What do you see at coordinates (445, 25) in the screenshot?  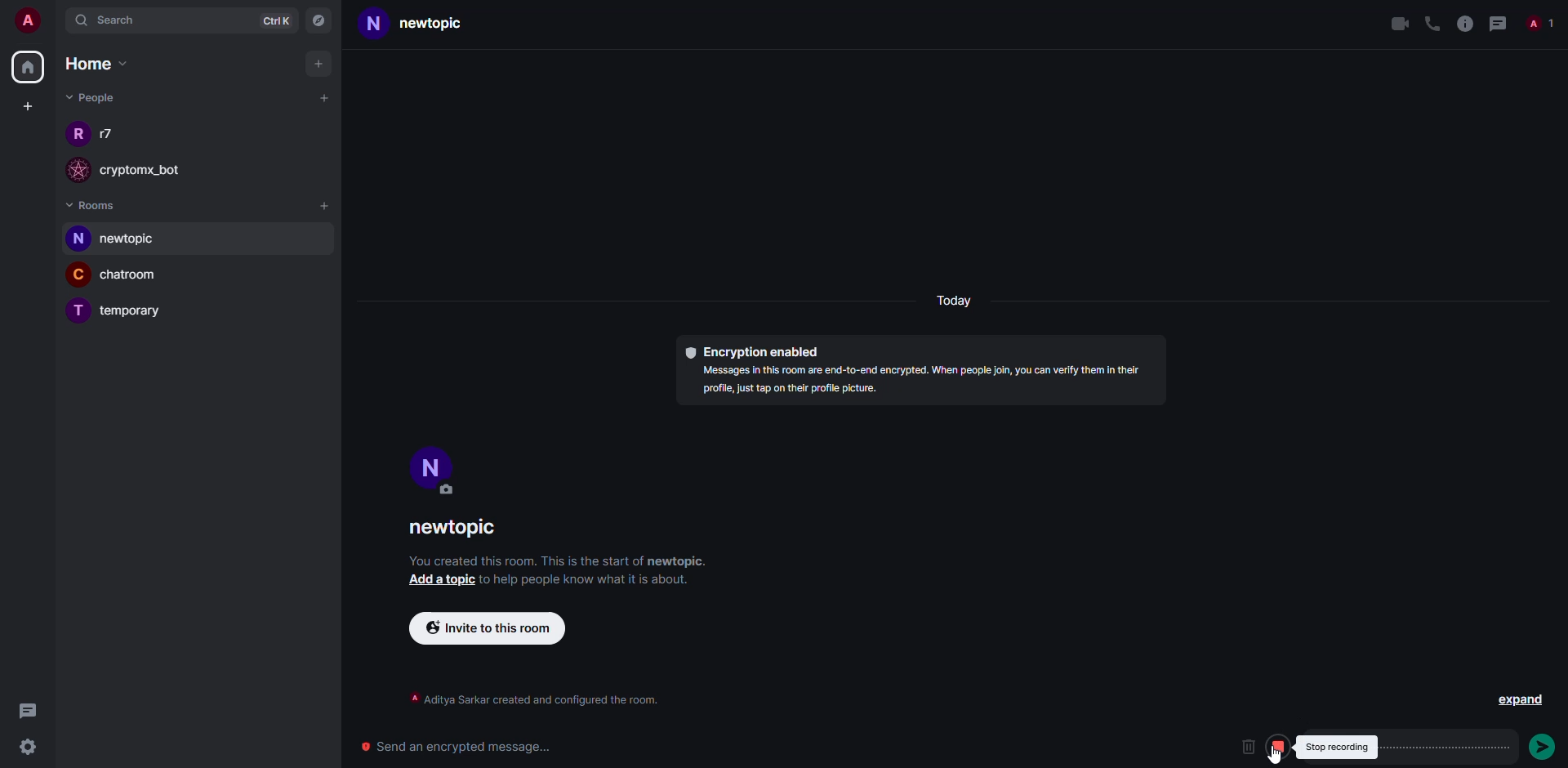 I see `room` at bounding box center [445, 25].